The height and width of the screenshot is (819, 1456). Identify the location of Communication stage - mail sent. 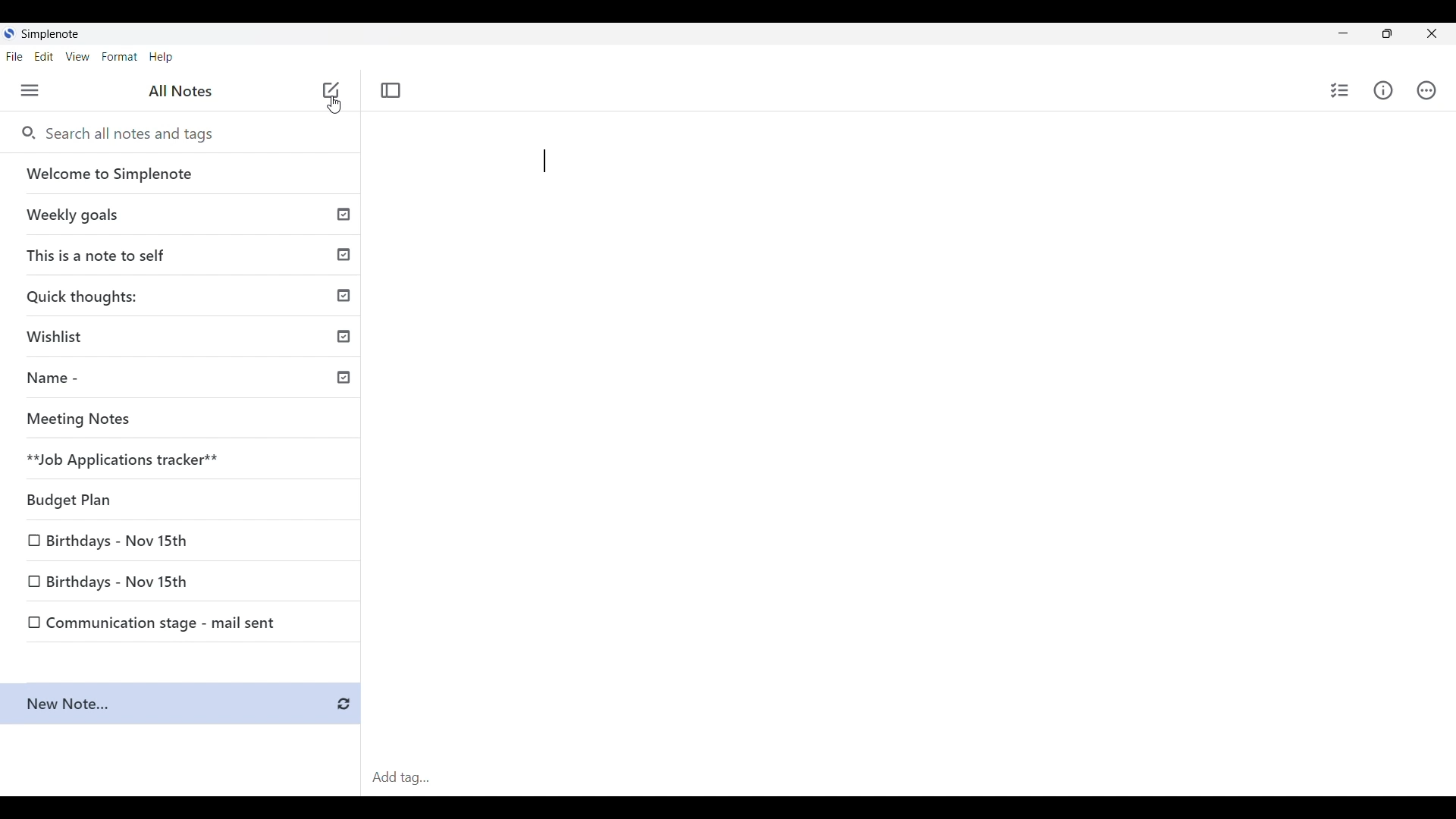
(183, 623).